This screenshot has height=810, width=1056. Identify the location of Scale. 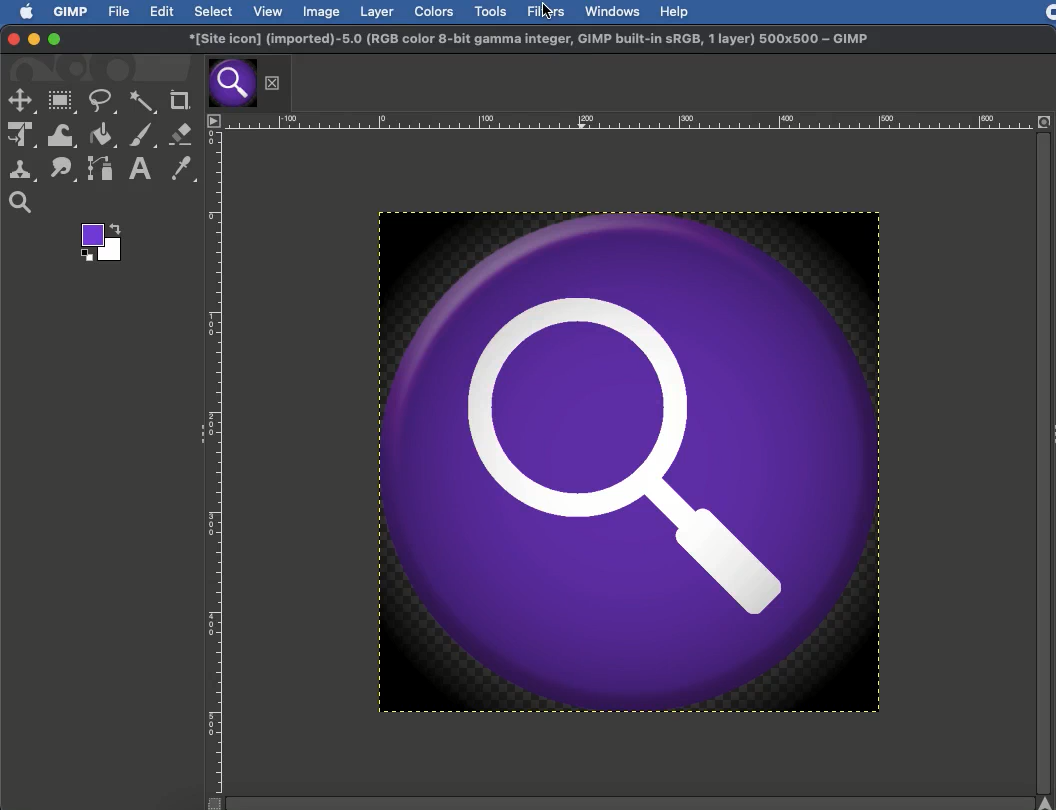
(641, 121).